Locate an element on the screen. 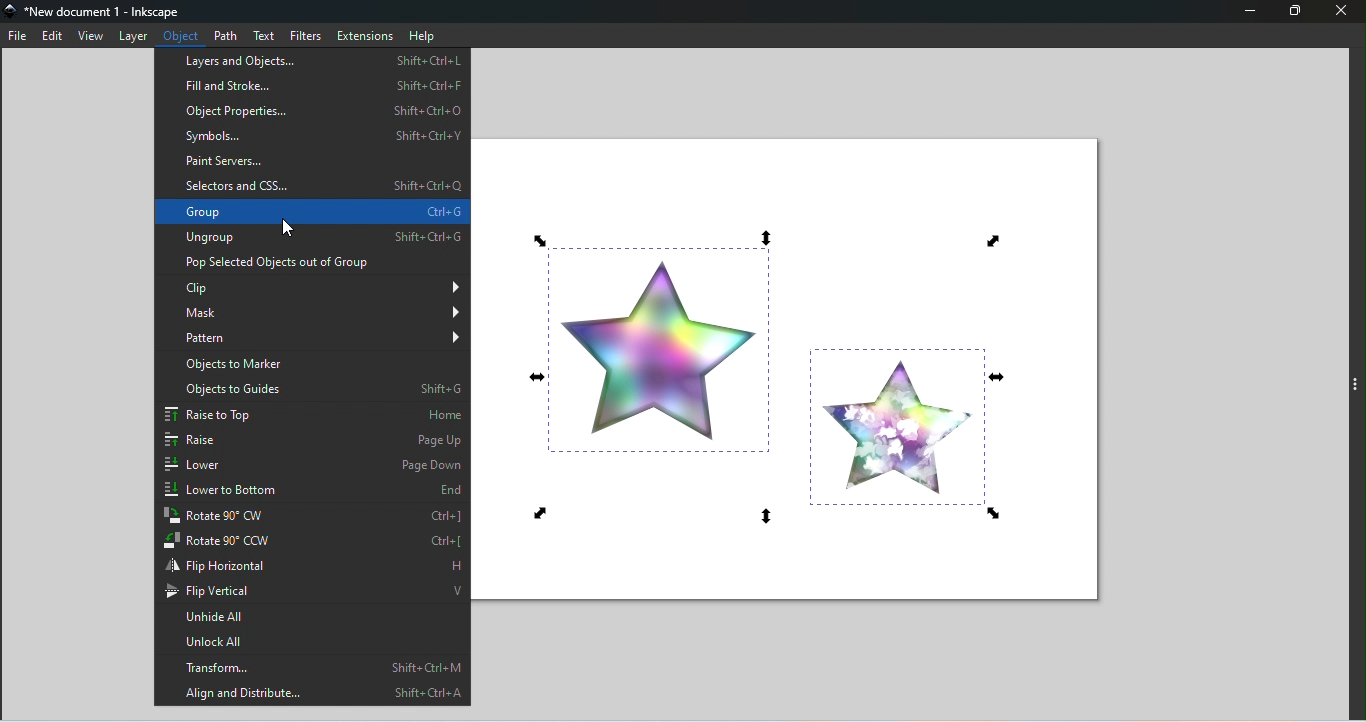 Image resolution: width=1366 pixels, height=722 pixels. Object properties is located at coordinates (313, 112).